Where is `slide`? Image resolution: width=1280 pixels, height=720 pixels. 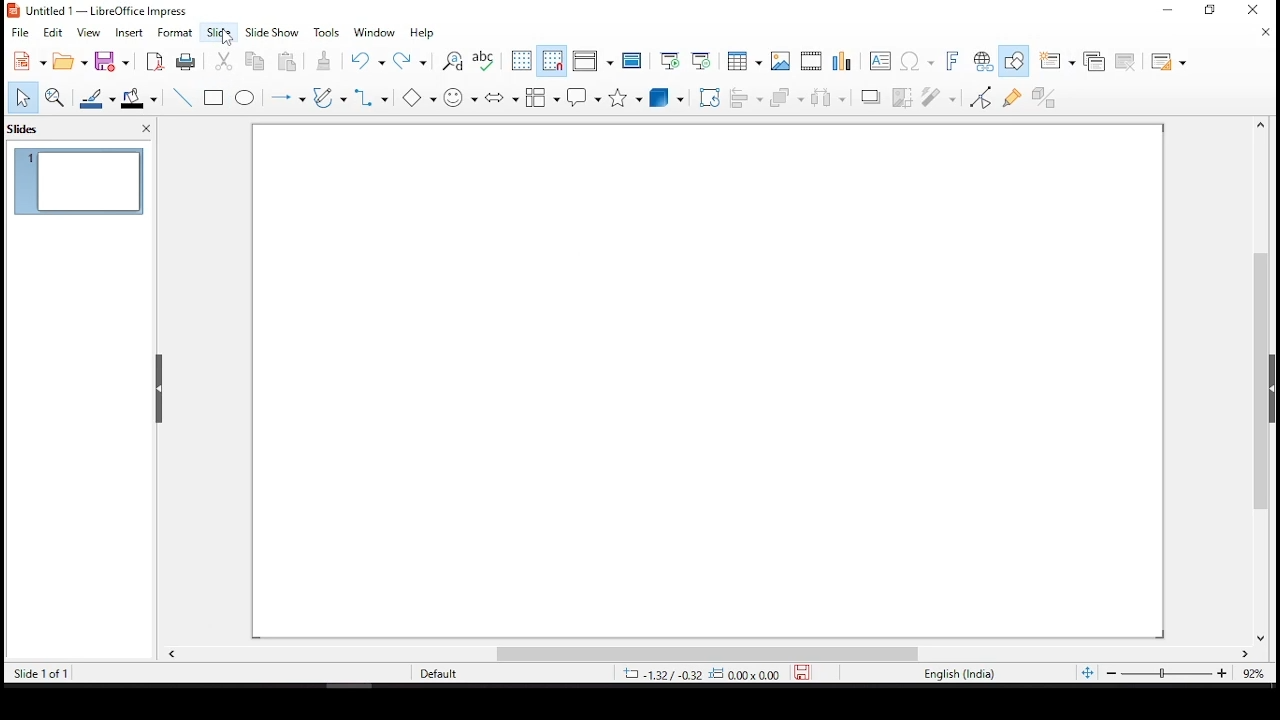
slide is located at coordinates (710, 379).